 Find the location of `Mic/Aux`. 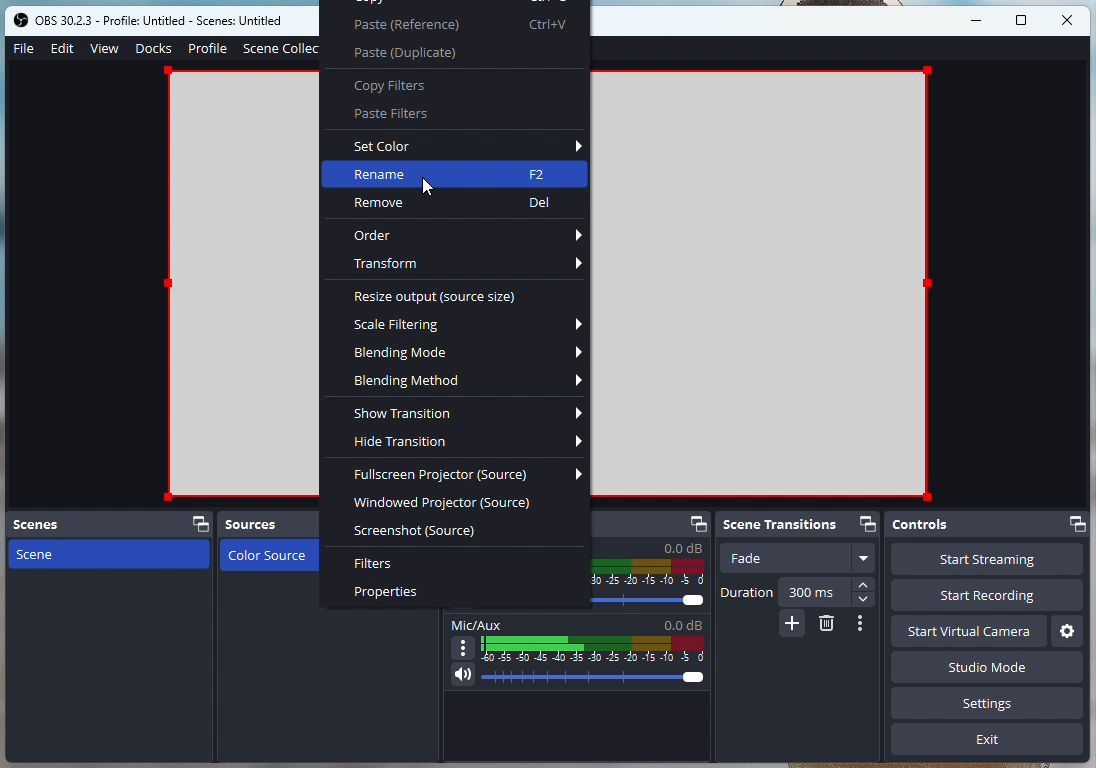

Mic/Aux is located at coordinates (577, 654).